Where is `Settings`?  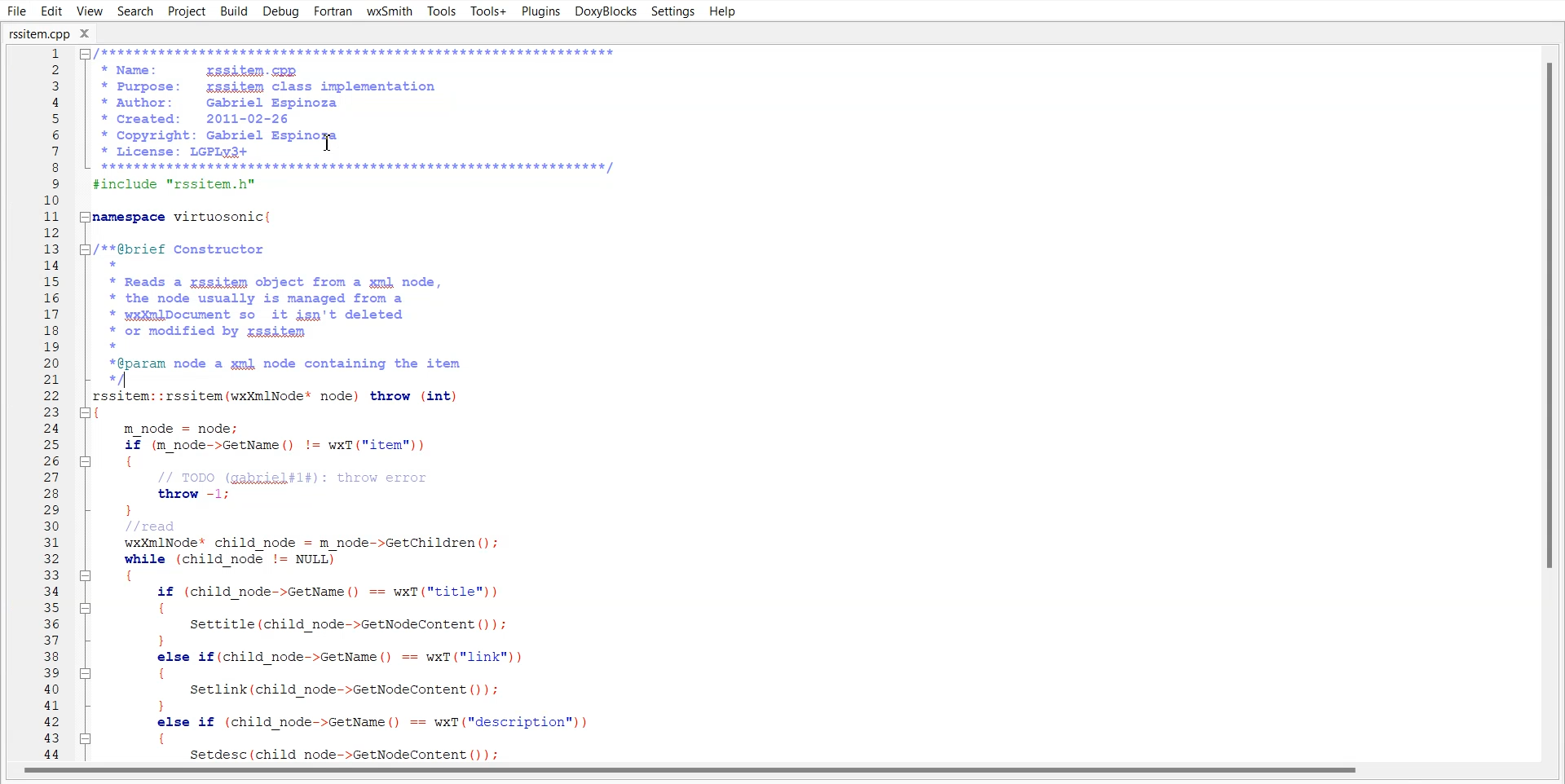
Settings is located at coordinates (672, 11).